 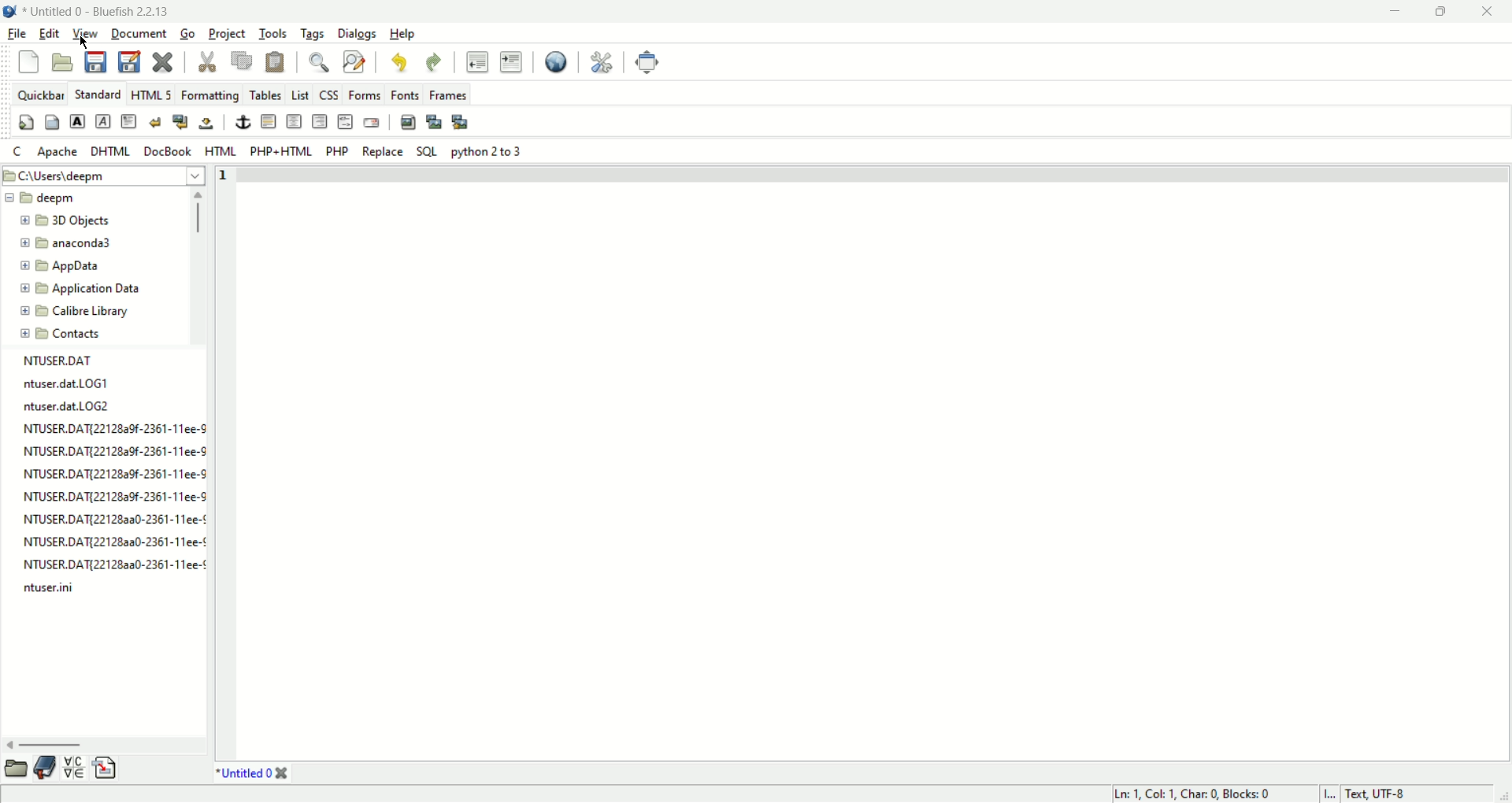 I want to click on undo , so click(x=398, y=63).